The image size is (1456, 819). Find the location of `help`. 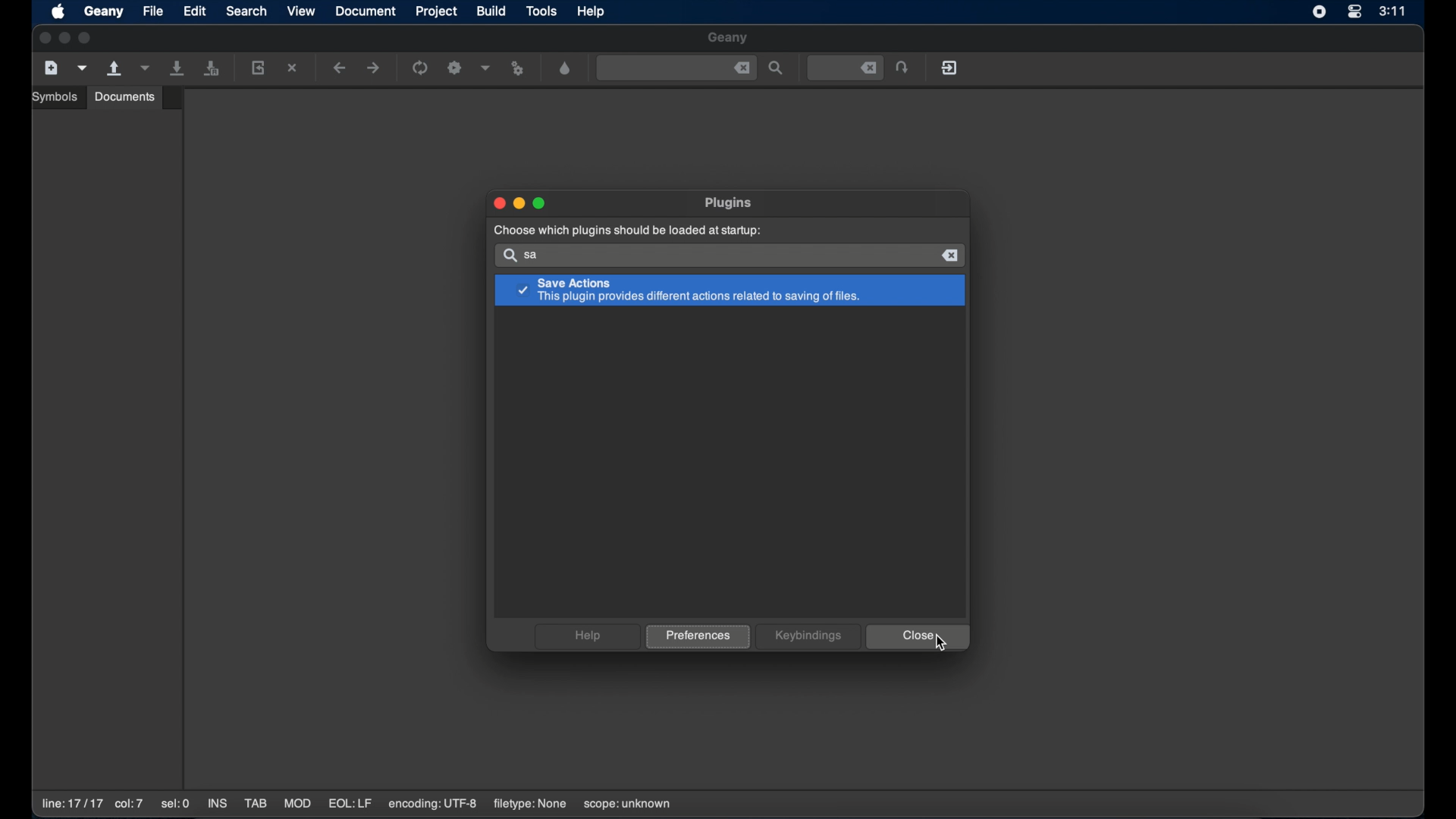

help is located at coordinates (592, 11).